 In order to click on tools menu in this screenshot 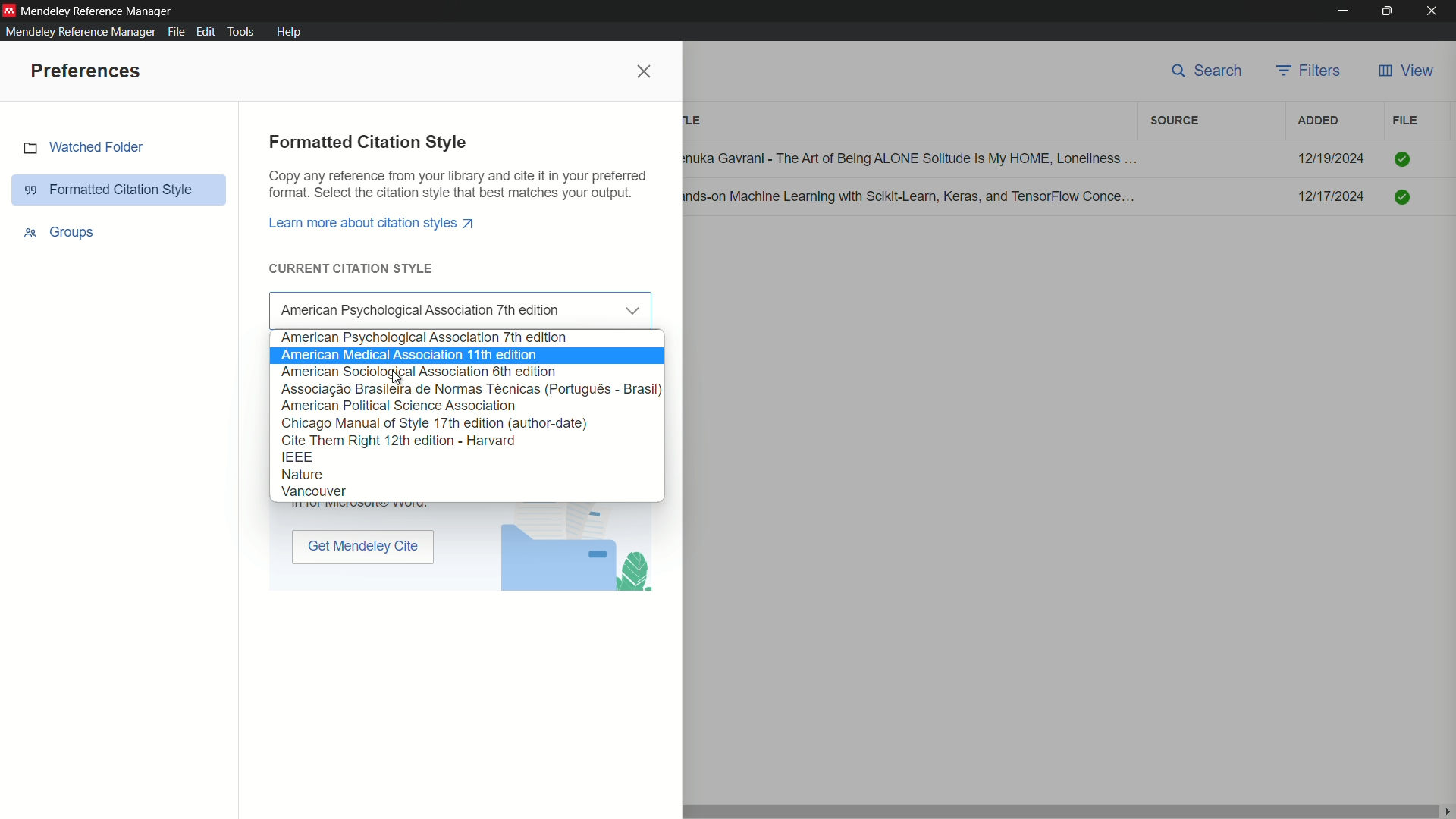, I will do `click(242, 32)`.